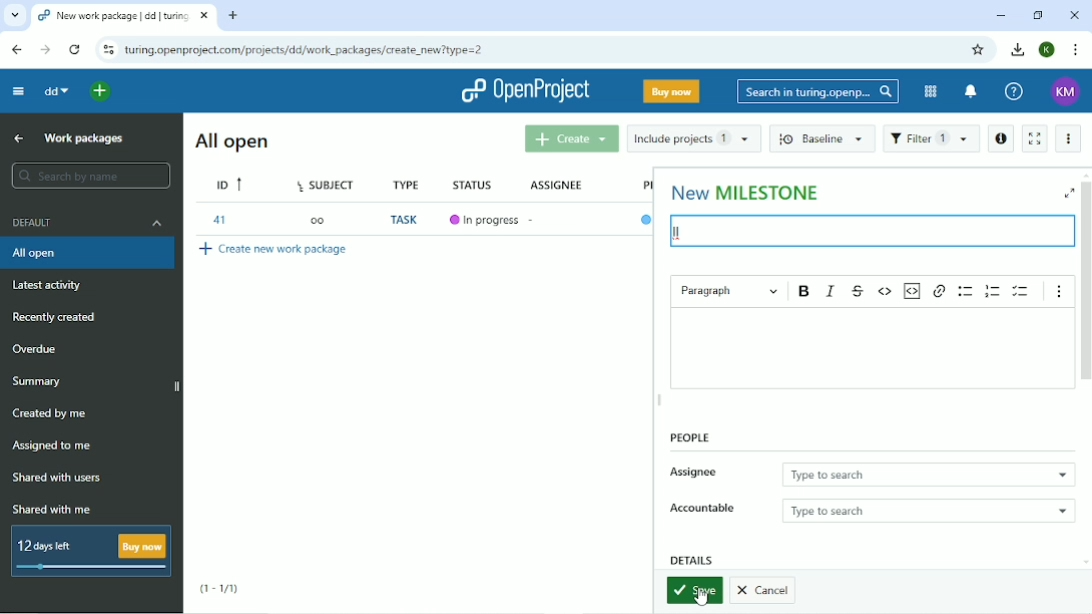  I want to click on Open quick add menu, so click(102, 92).